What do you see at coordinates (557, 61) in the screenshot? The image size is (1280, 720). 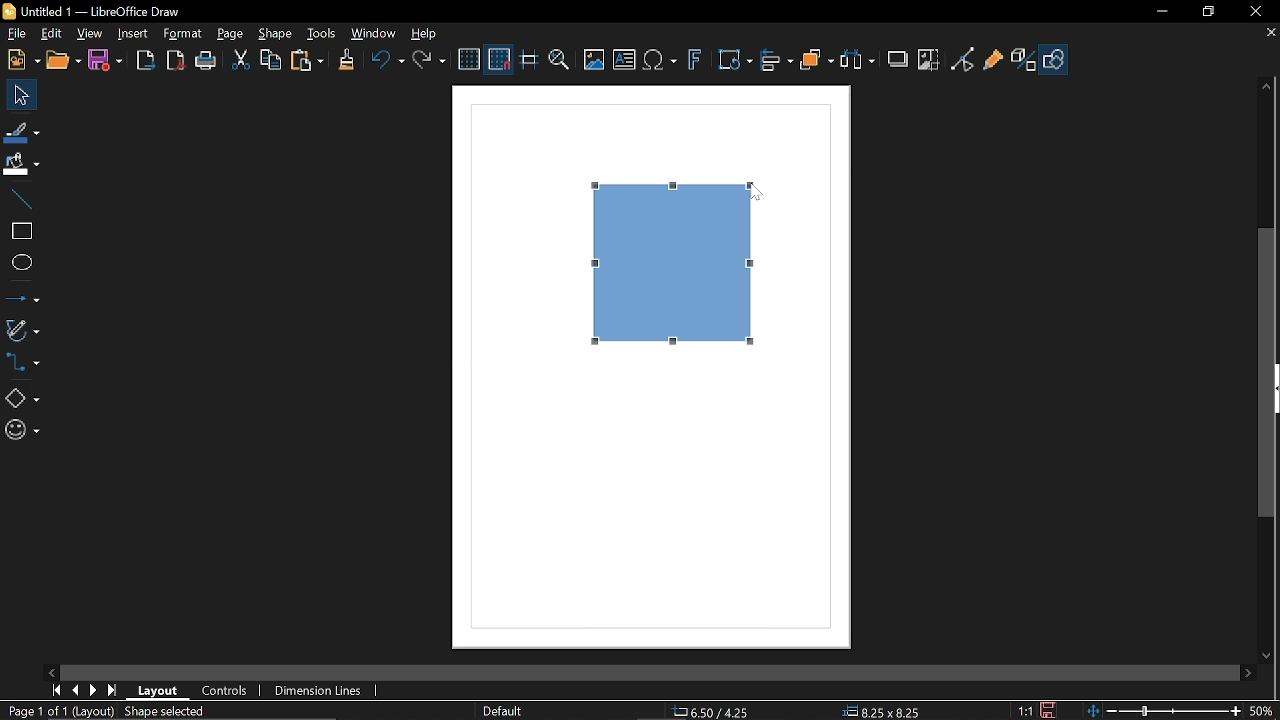 I see `Zoom` at bounding box center [557, 61].